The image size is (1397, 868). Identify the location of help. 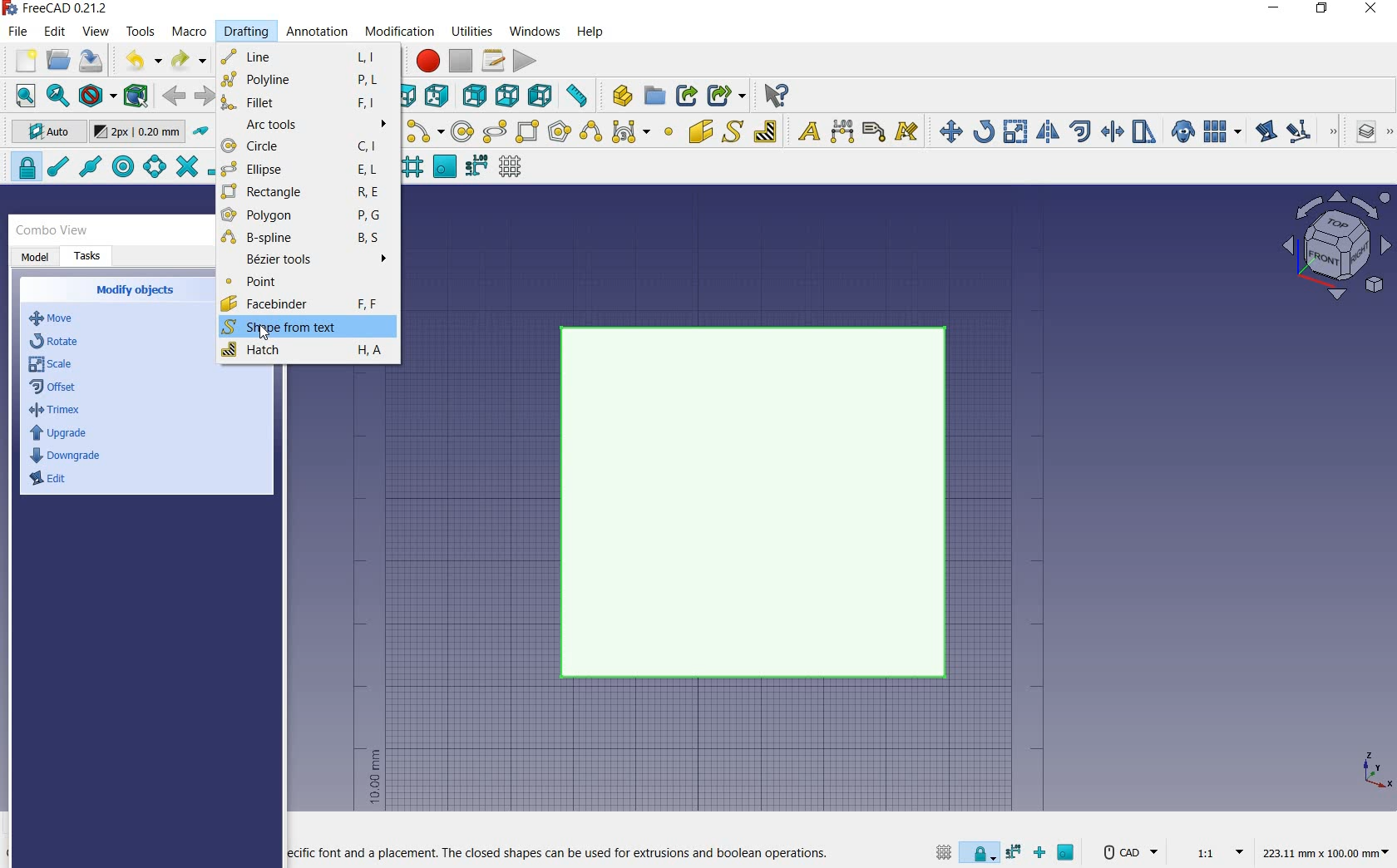
(590, 32).